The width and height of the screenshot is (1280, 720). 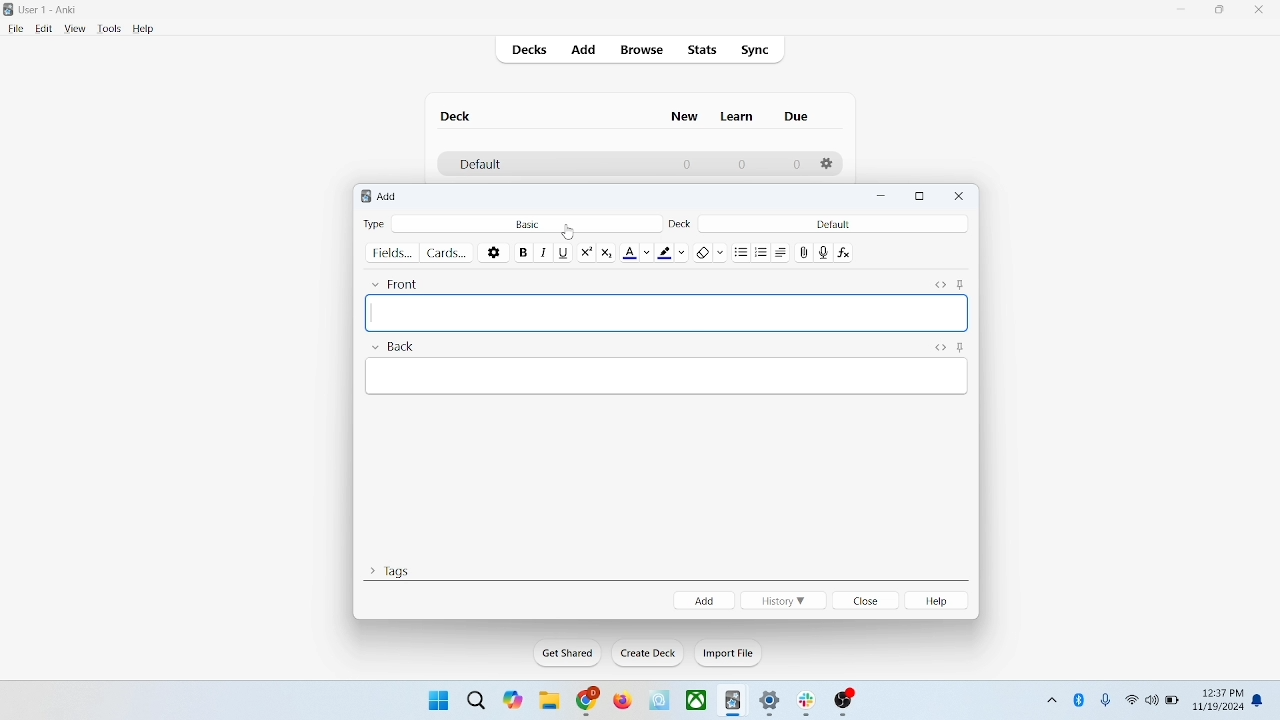 I want to click on record audio, so click(x=824, y=254).